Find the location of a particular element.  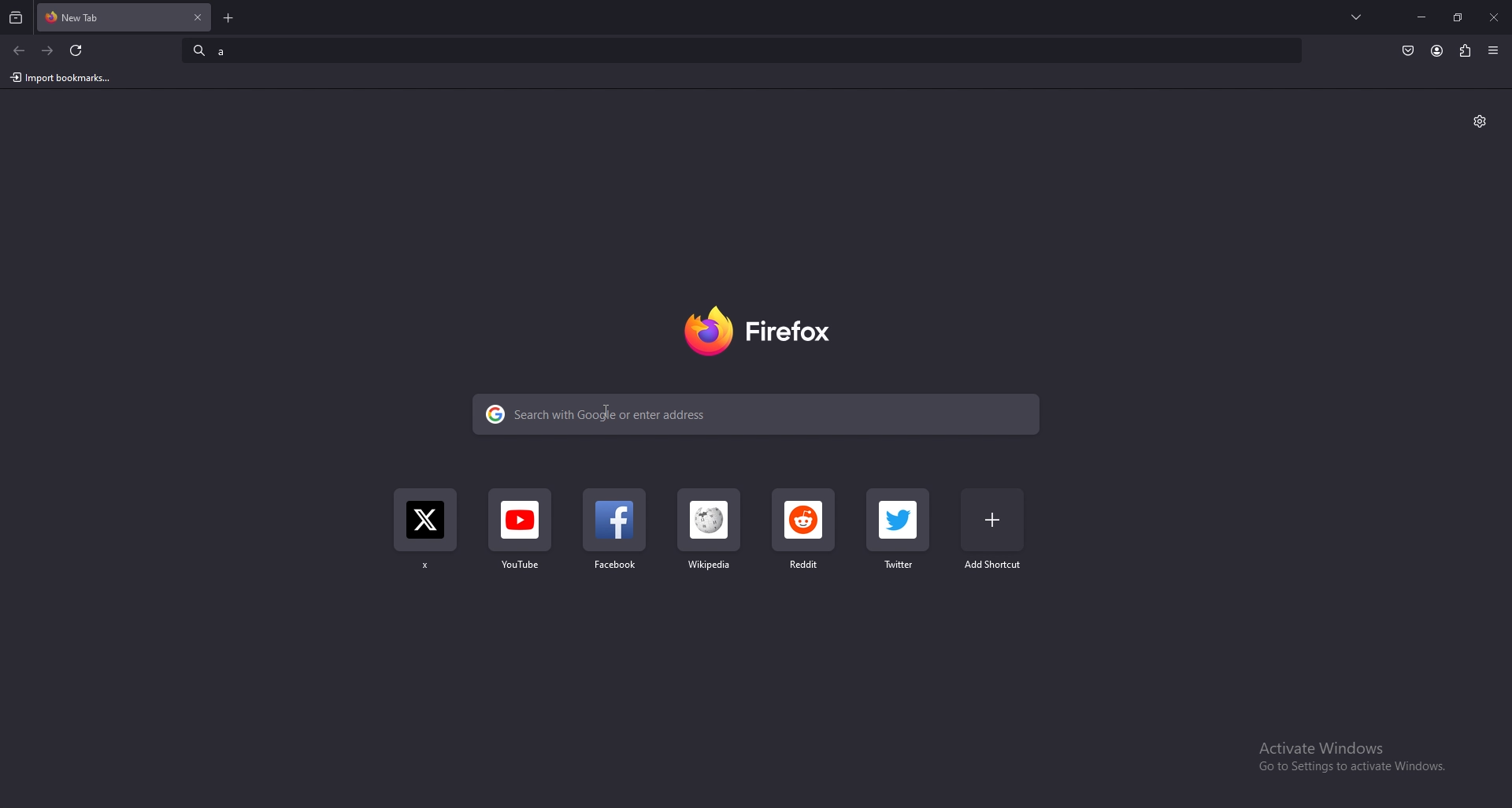

facebook is located at coordinates (617, 537).